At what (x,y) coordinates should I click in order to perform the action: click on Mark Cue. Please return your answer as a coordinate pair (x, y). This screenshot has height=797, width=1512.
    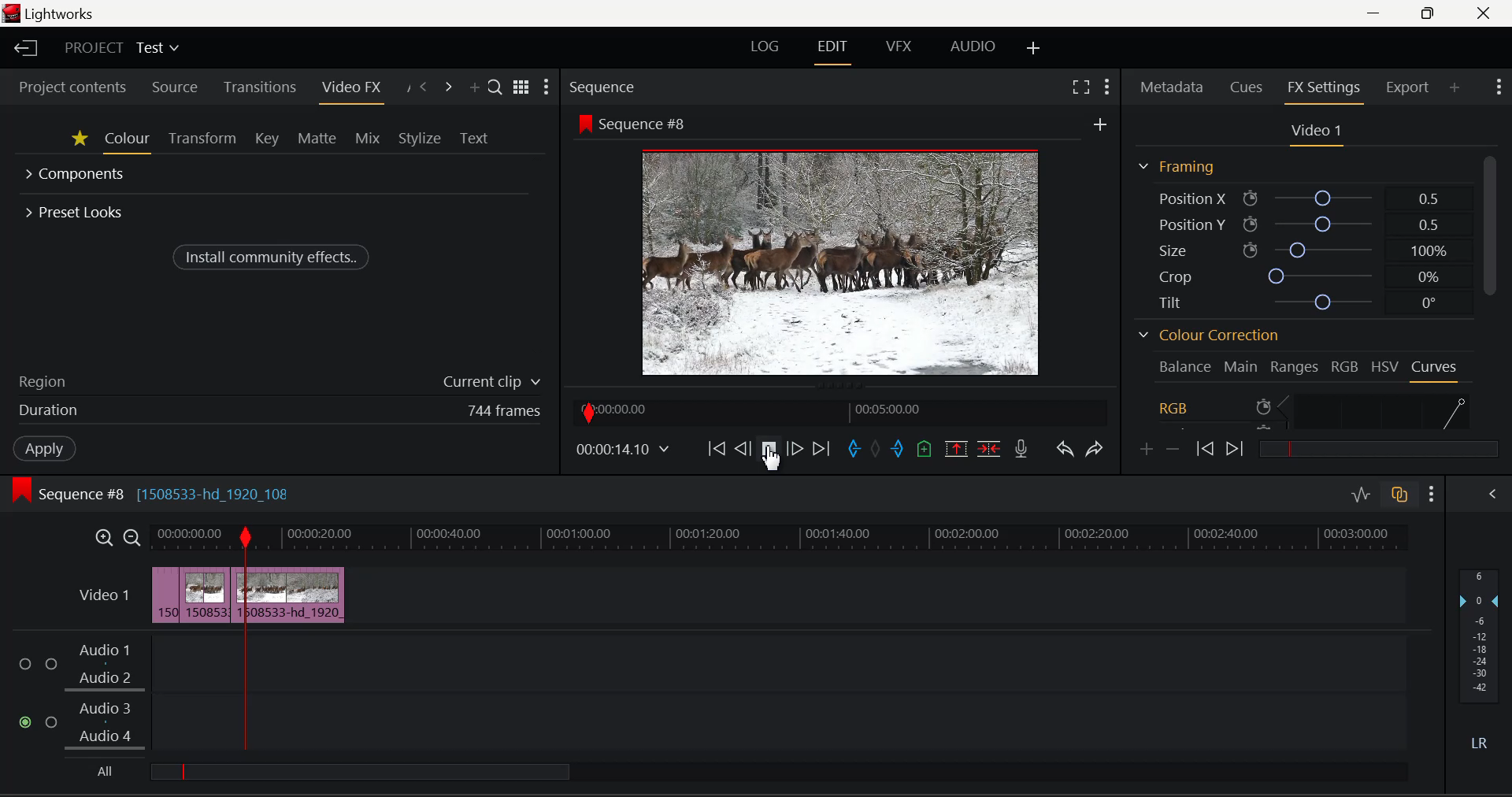
    Looking at the image, I should click on (922, 451).